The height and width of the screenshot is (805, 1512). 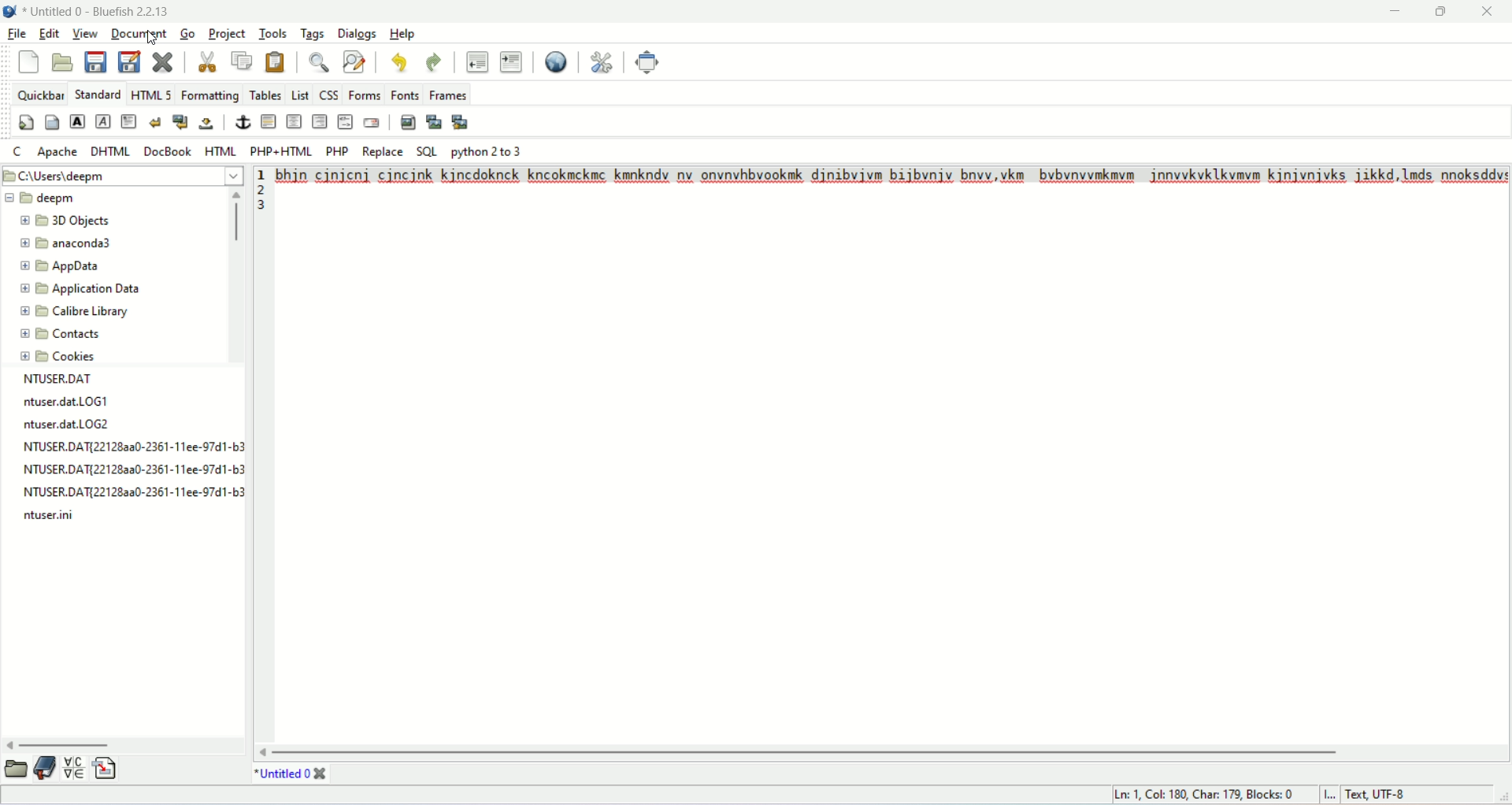 I want to click on insert file, so click(x=105, y=770).